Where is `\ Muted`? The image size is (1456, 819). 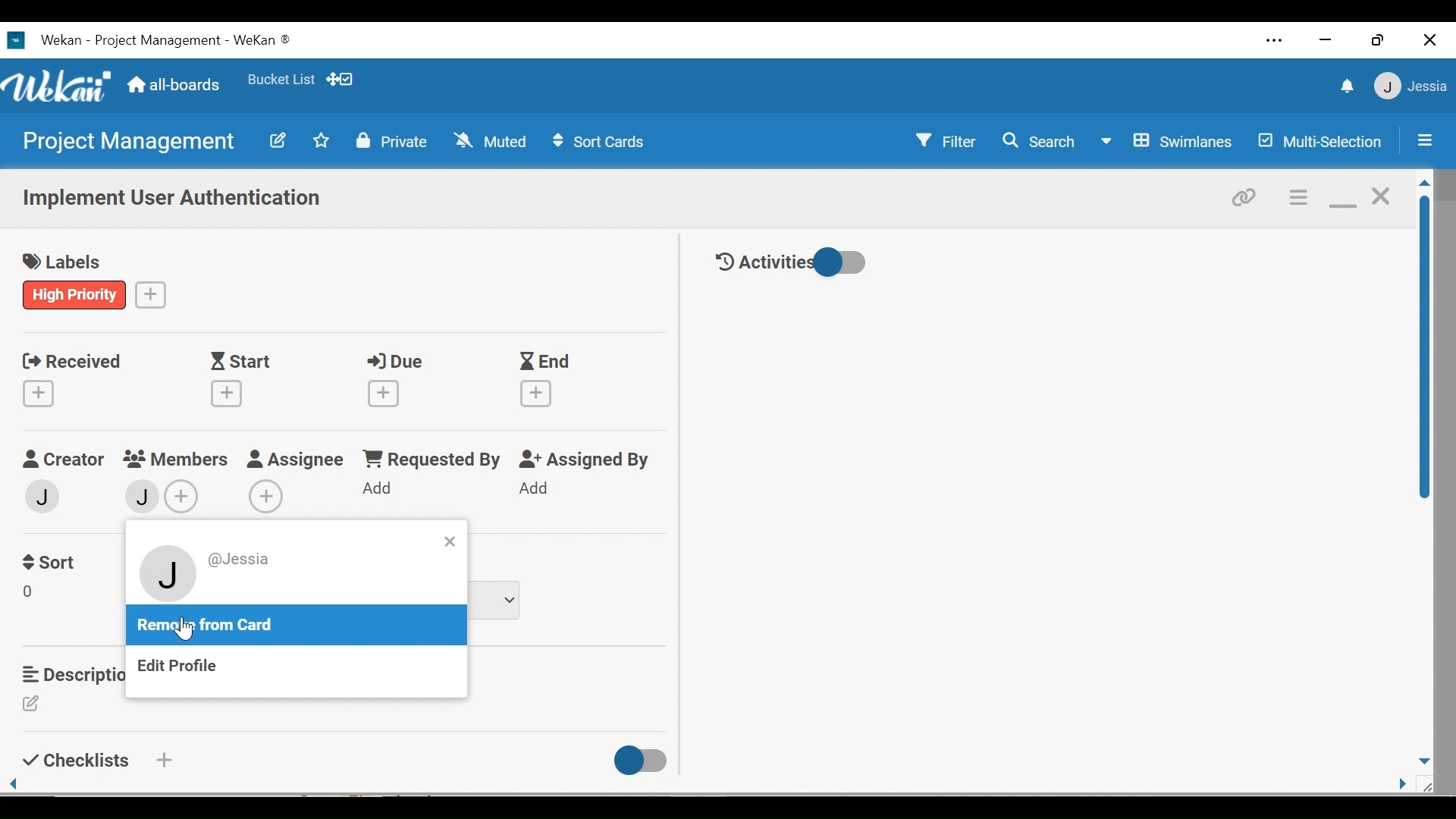
\ Muted is located at coordinates (492, 142).